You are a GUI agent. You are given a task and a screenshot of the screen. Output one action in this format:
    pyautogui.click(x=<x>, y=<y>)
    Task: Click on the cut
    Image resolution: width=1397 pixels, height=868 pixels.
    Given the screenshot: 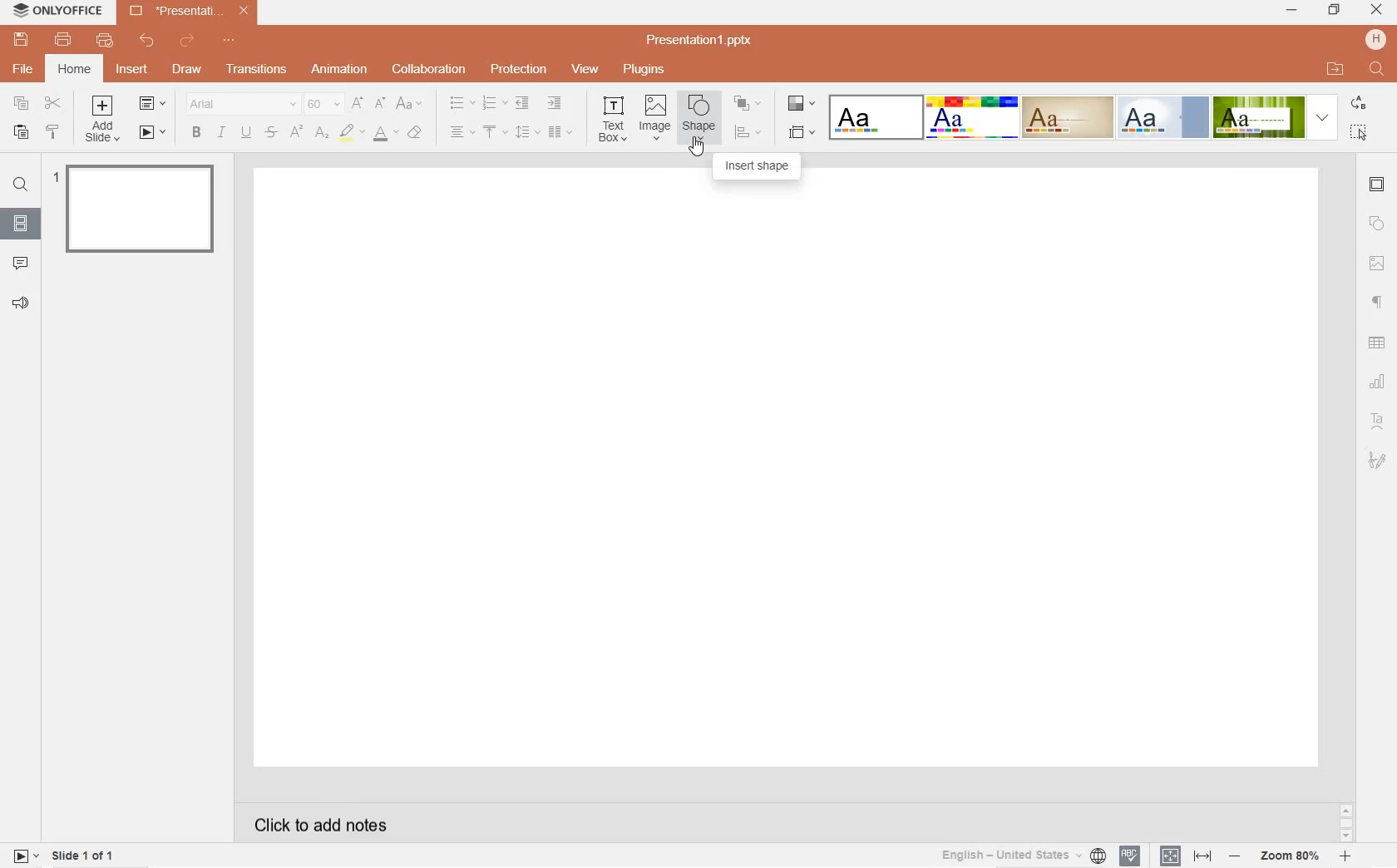 What is the action you would take?
    pyautogui.click(x=53, y=104)
    